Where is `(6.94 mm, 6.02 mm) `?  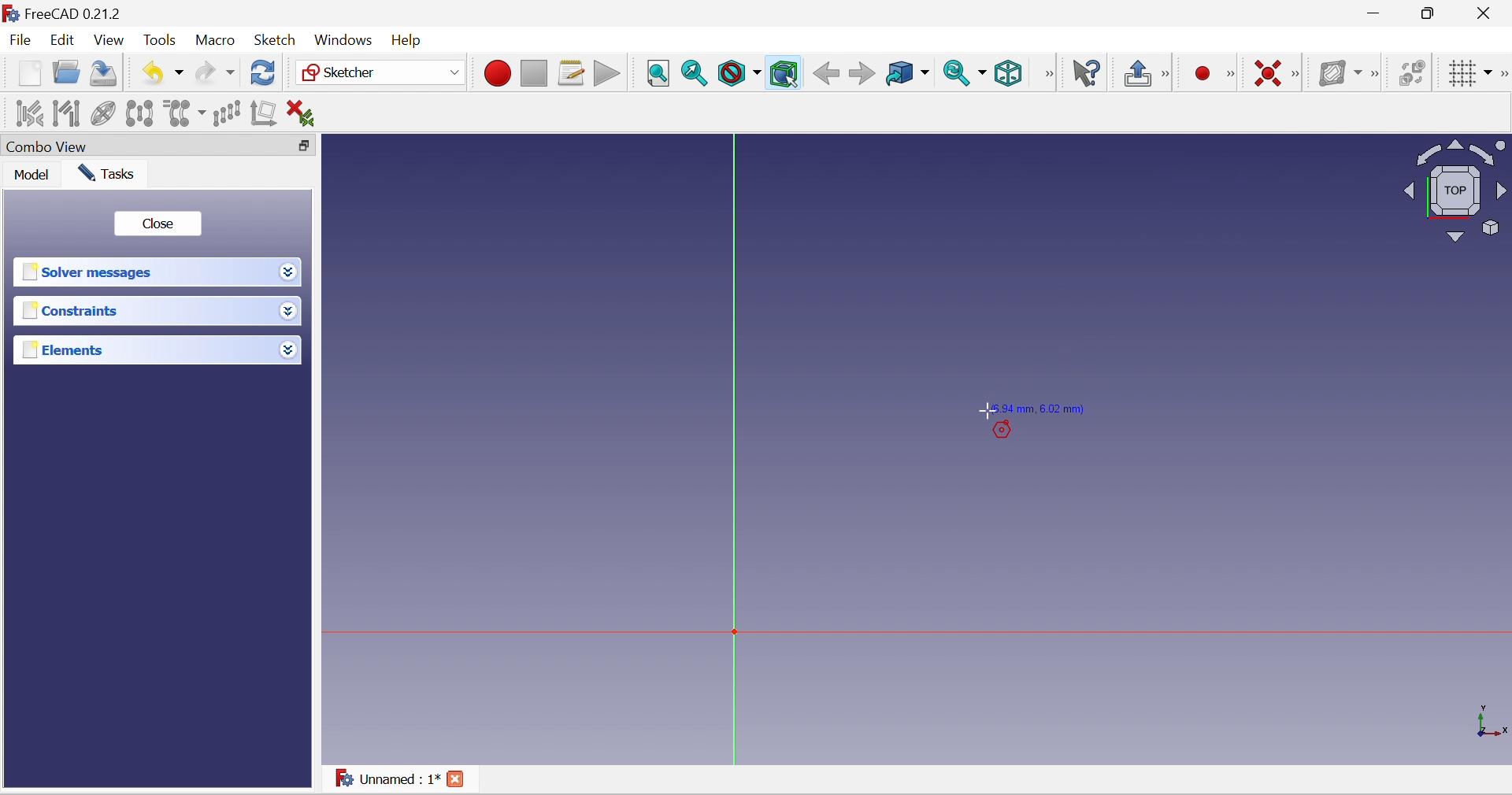 (6.94 mm, 6.02 mm)  is located at coordinates (1040, 409).